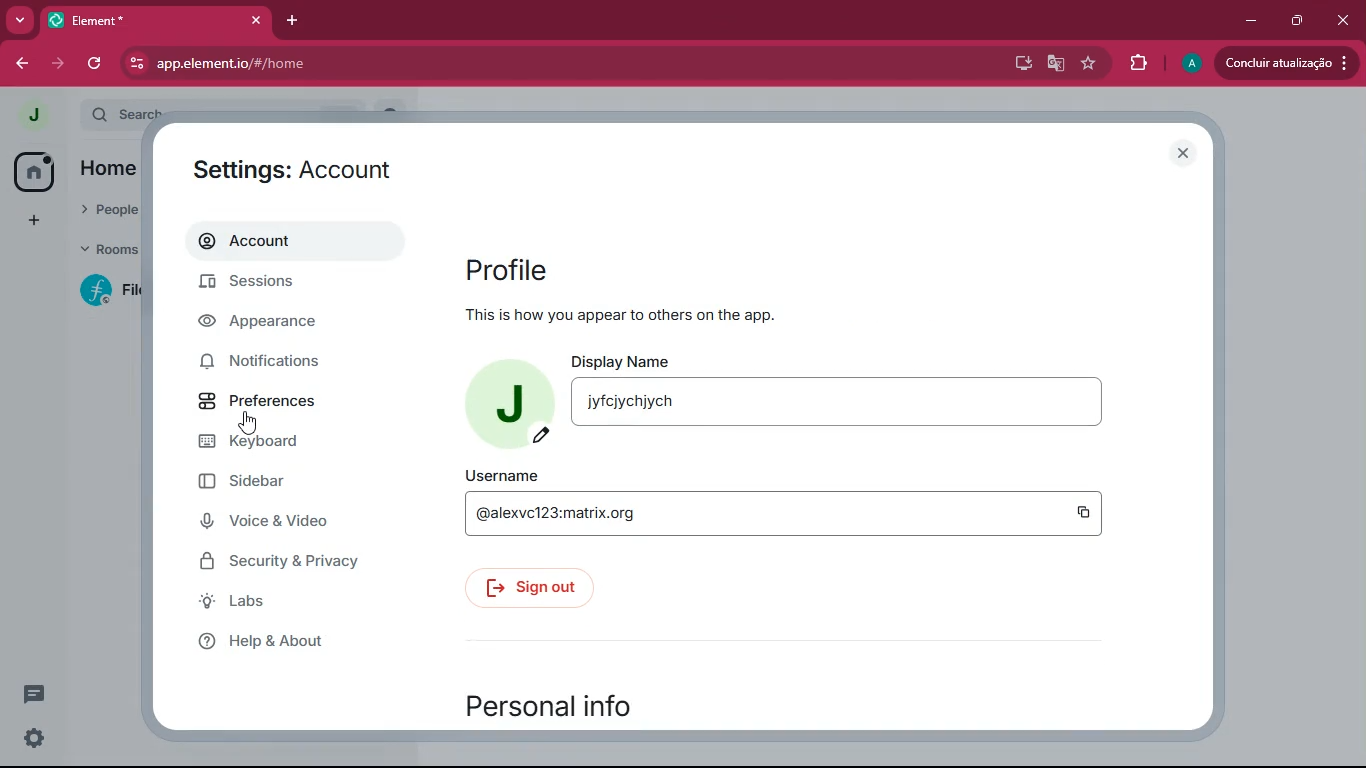 The height and width of the screenshot is (768, 1366). I want to click on home, so click(33, 172).